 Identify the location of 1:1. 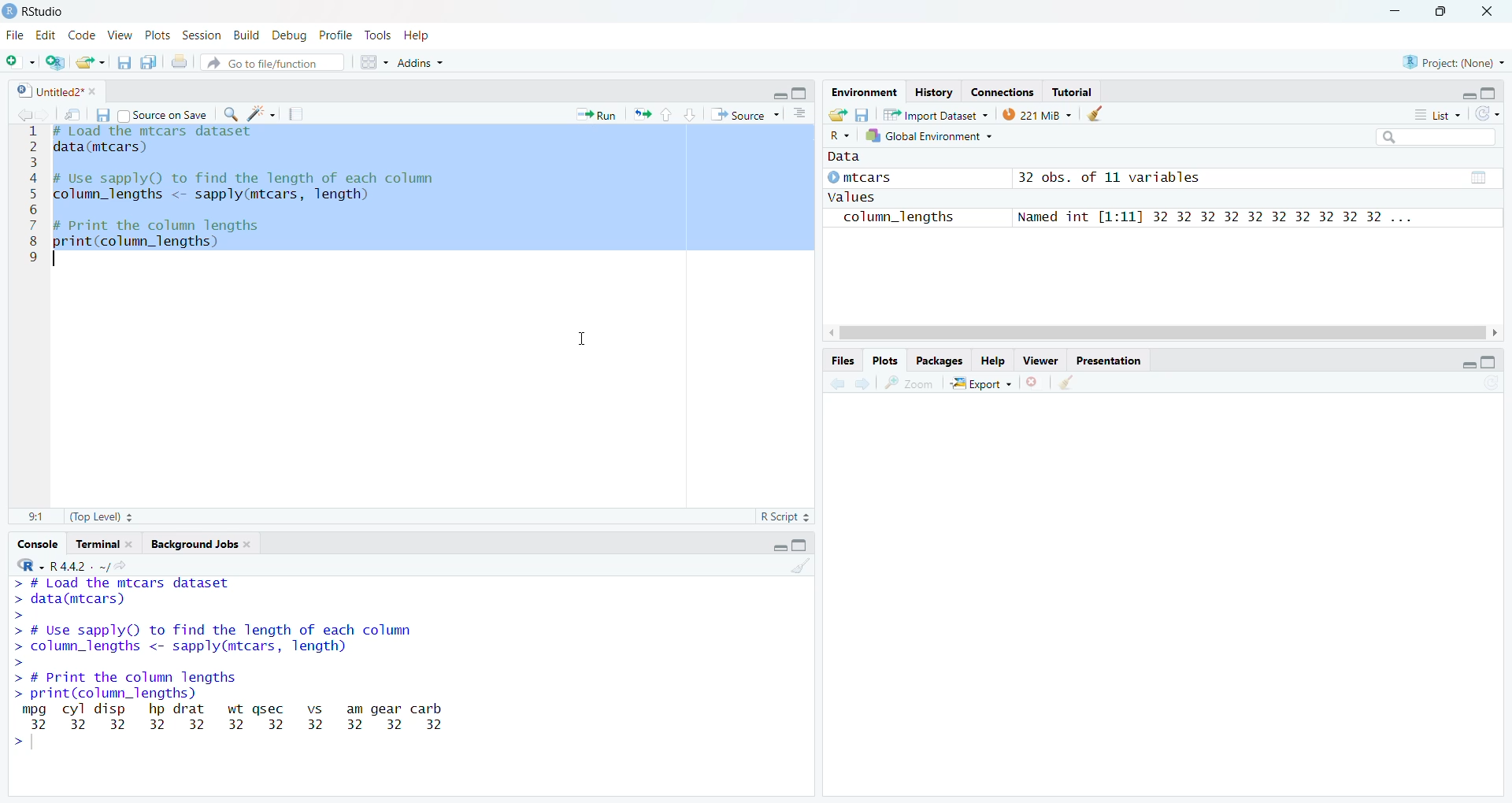
(37, 518).